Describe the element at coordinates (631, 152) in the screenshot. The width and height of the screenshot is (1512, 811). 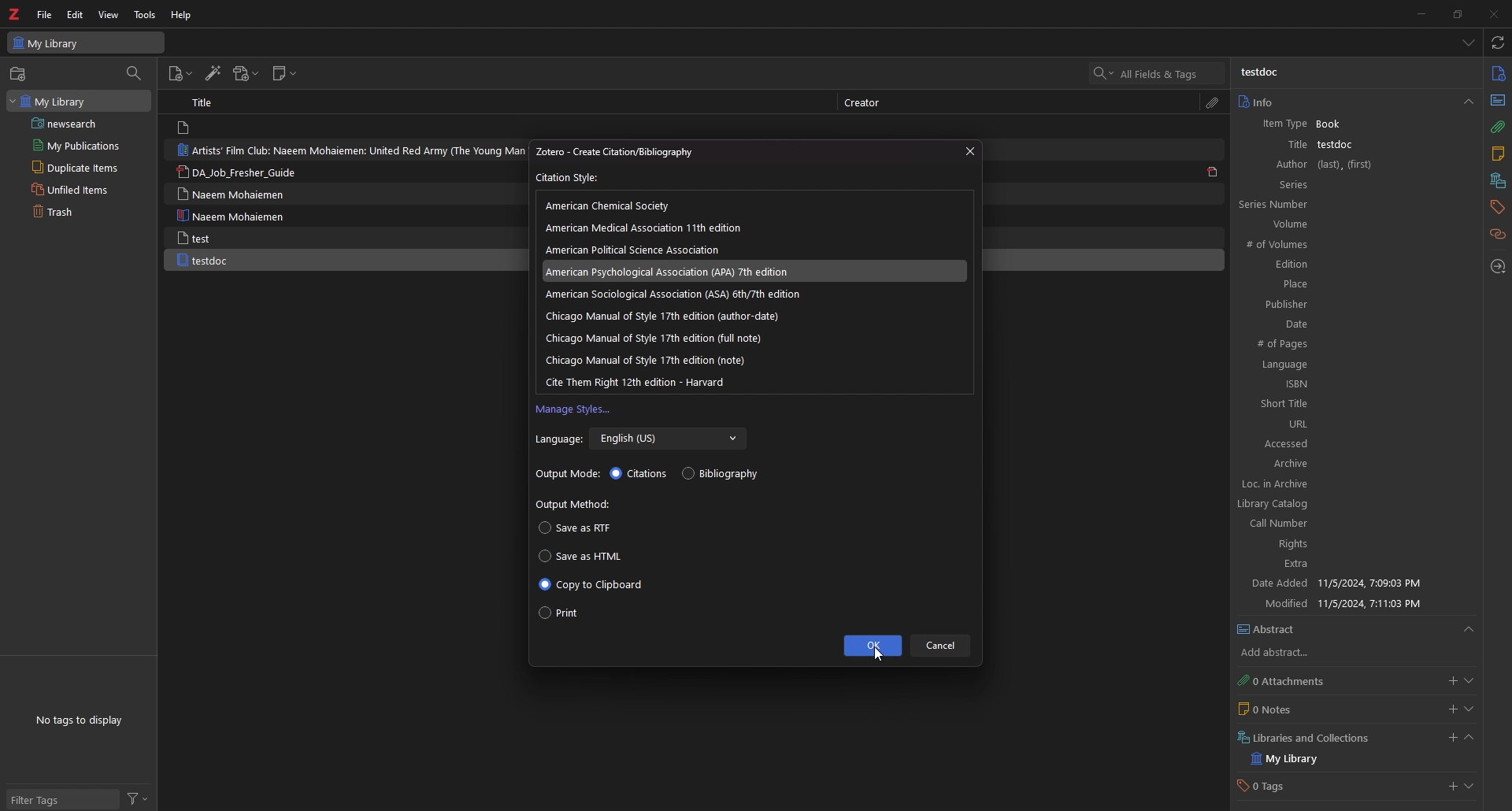
I see `Zotero - Create Citation/Bibliography` at that location.